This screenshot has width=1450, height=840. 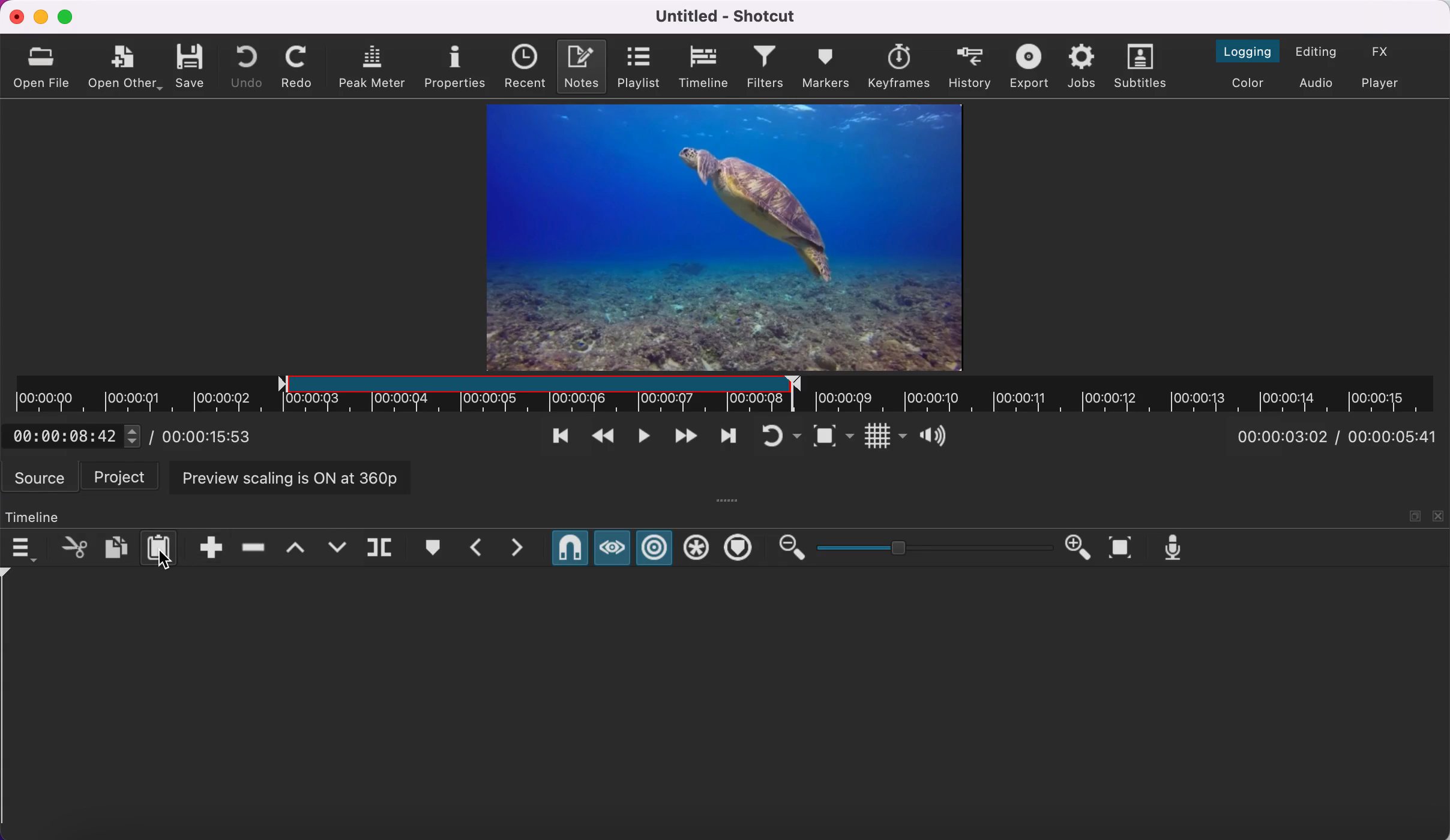 What do you see at coordinates (602, 438) in the screenshot?
I see `play quickly backwards` at bounding box center [602, 438].